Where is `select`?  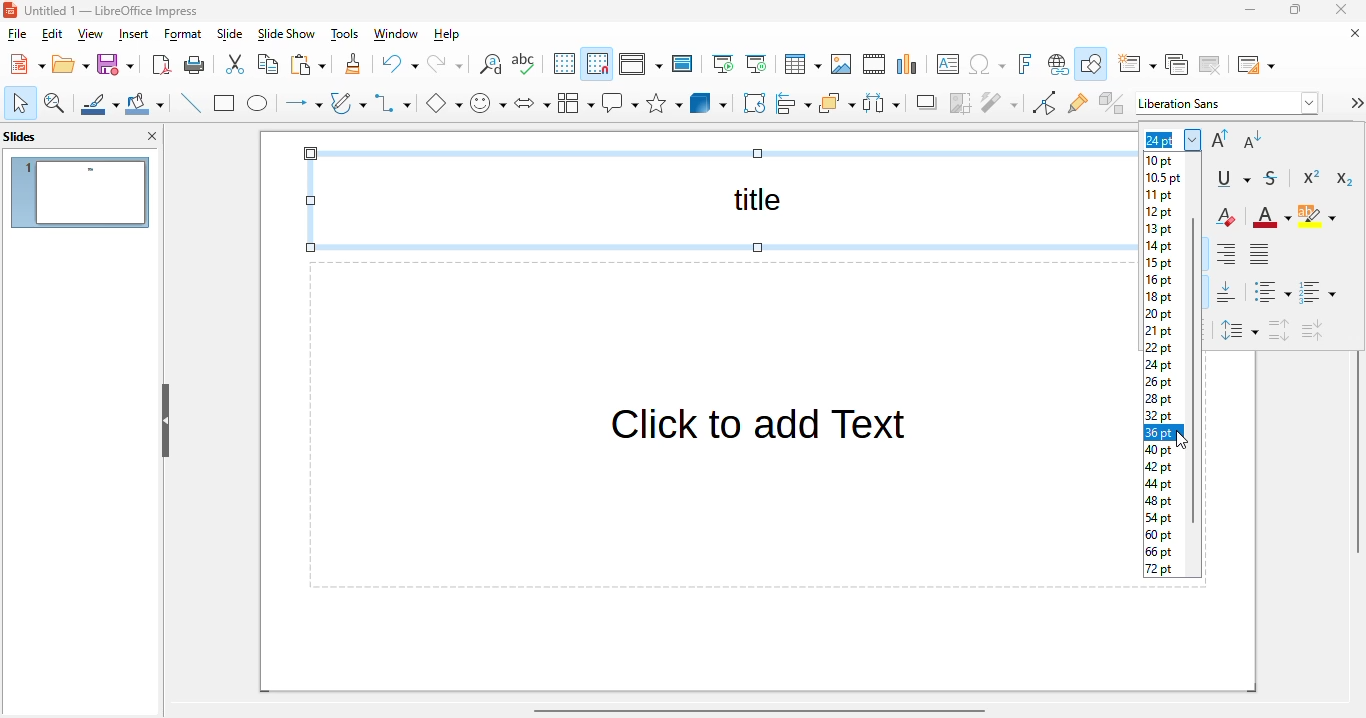
select is located at coordinates (20, 103).